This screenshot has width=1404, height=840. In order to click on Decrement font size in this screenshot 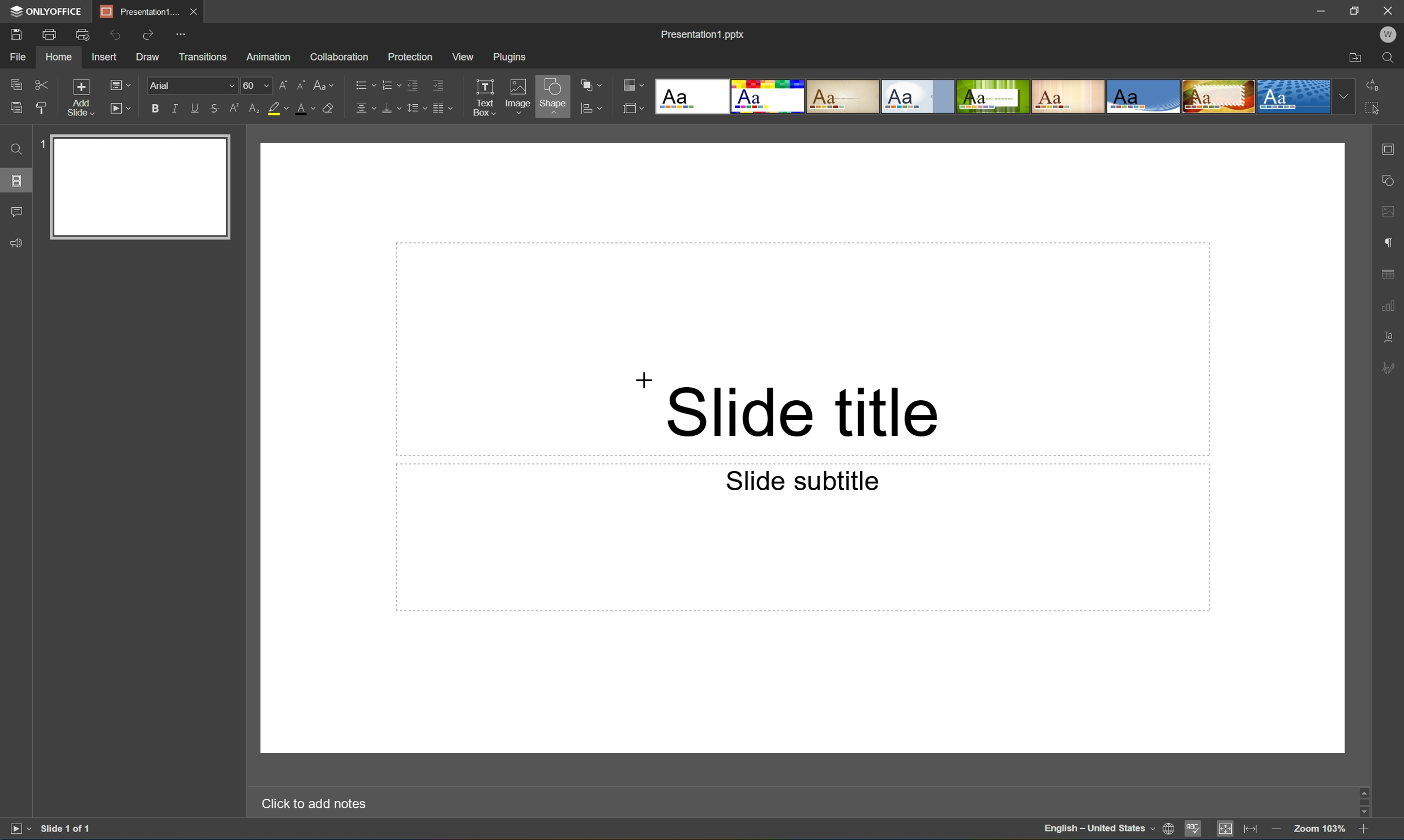, I will do `click(301, 84)`.